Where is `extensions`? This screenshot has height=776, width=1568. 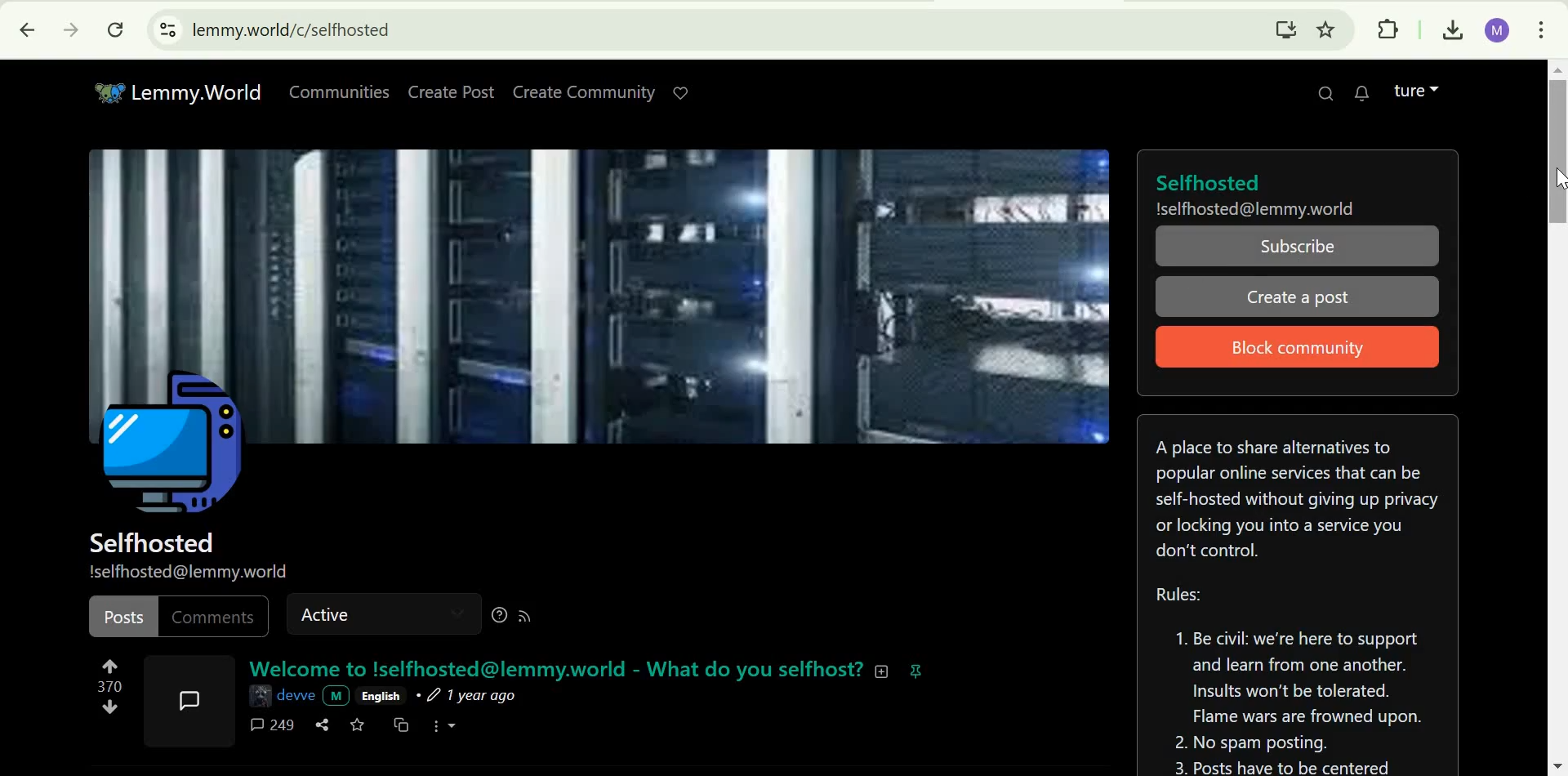
extensions is located at coordinates (1391, 30).